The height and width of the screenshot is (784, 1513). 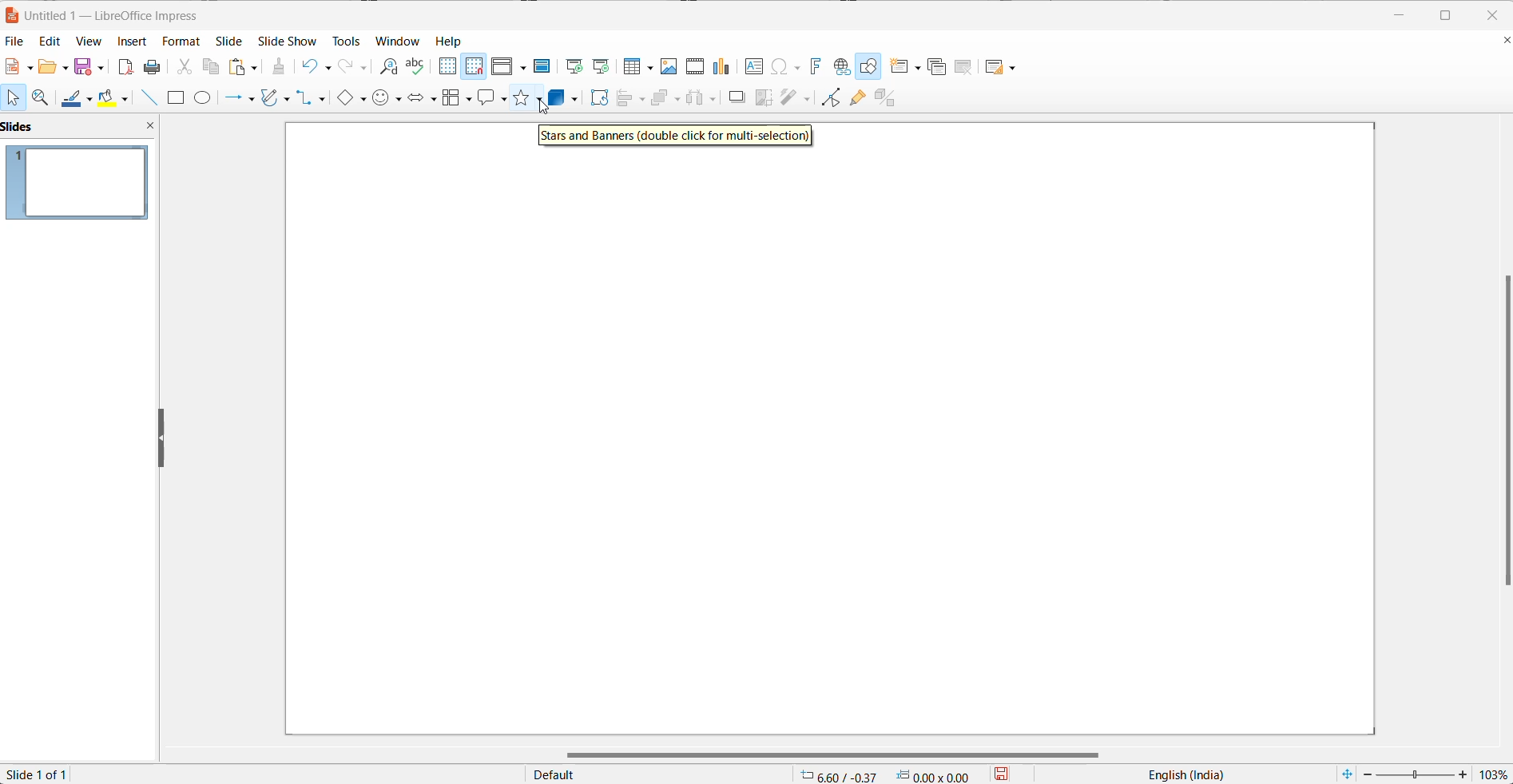 I want to click on export as pdf , so click(x=126, y=65).